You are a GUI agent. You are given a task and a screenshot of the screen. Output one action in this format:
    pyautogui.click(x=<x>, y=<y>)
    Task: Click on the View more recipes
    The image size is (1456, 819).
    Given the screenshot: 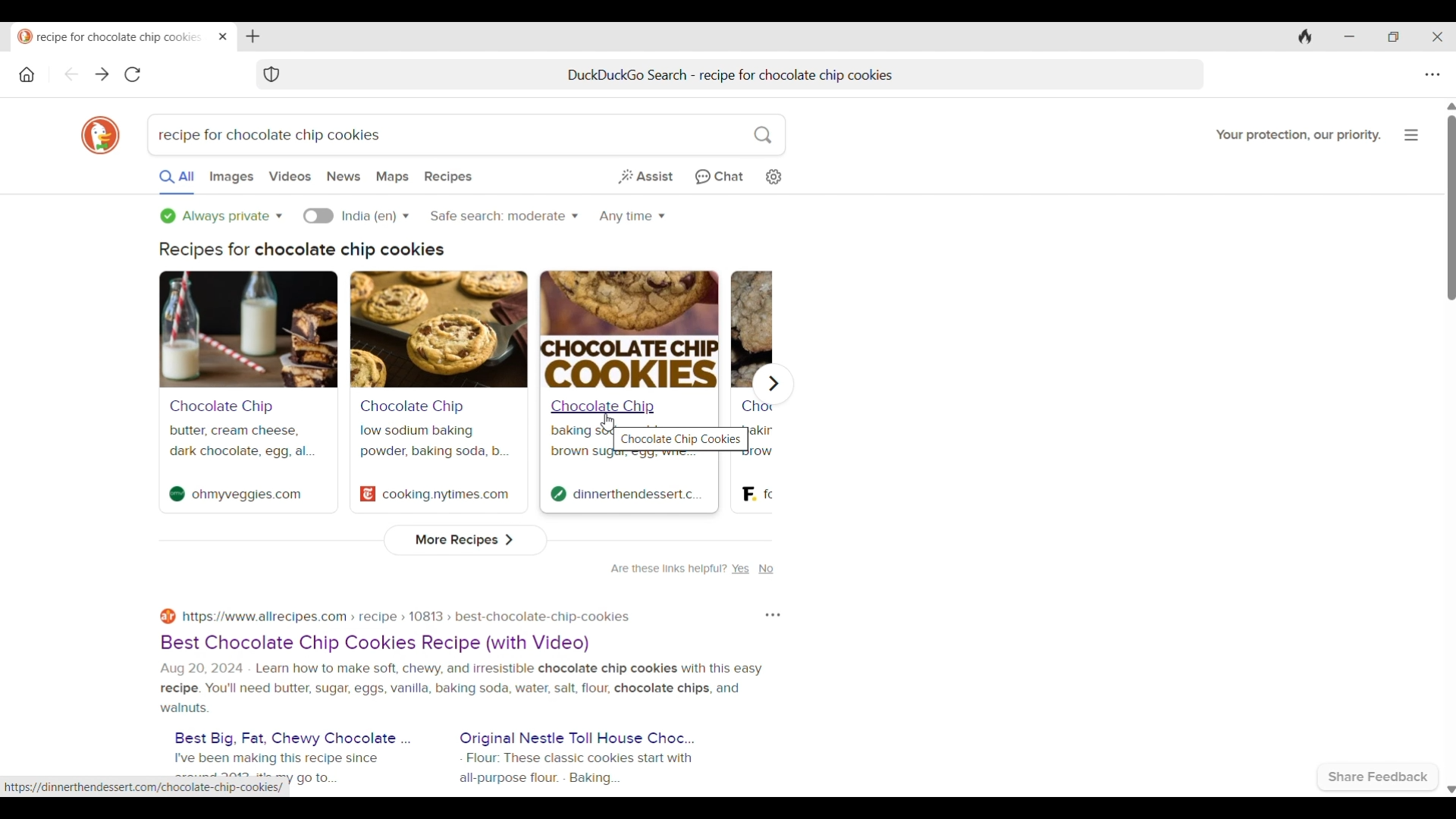 What is the action you would take?
    pyautogui.click(x=466, y=541)
    